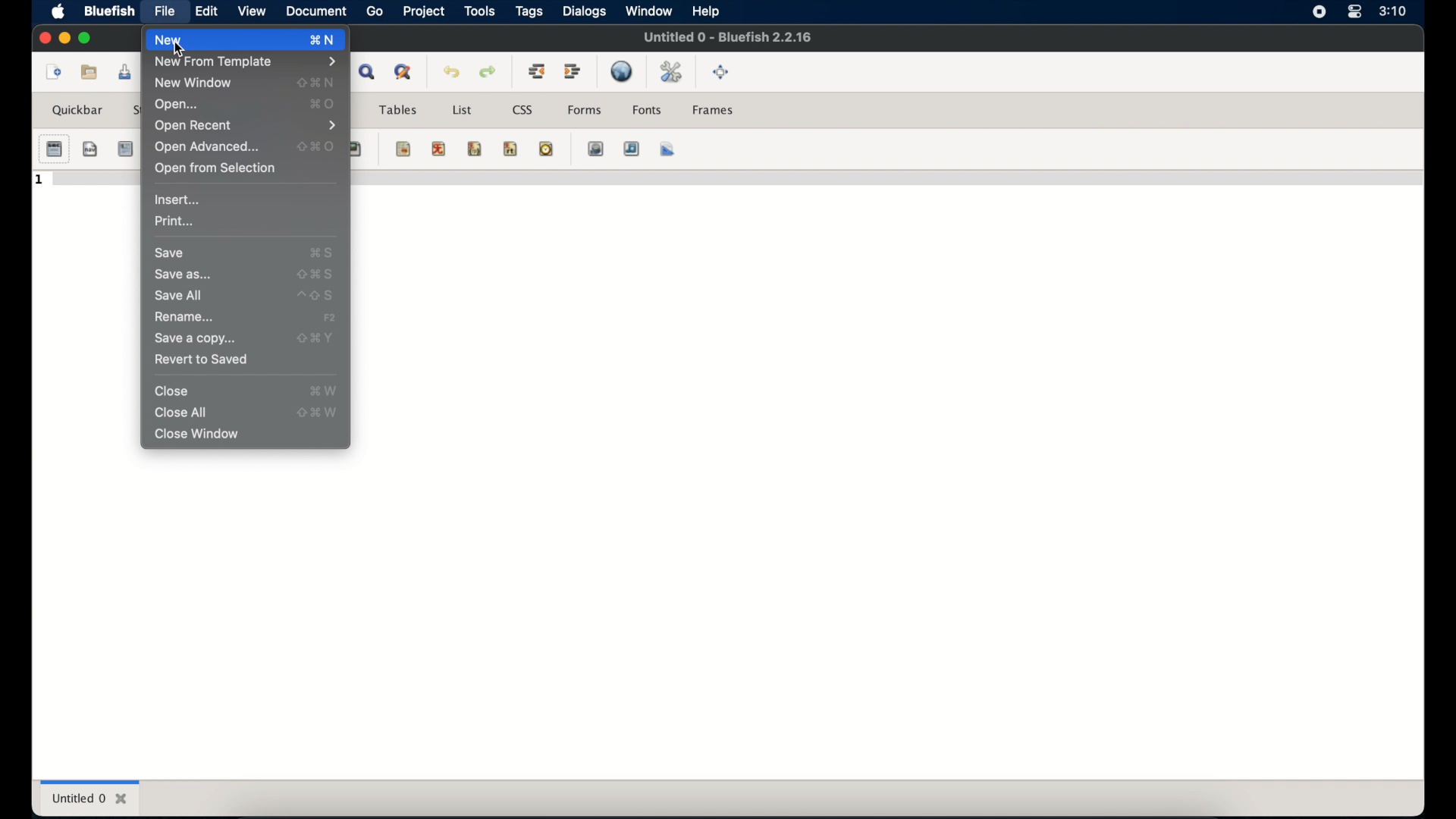 The width and height of the screenshot is (1456, 819). I want to click on edit, so click(206, 11).